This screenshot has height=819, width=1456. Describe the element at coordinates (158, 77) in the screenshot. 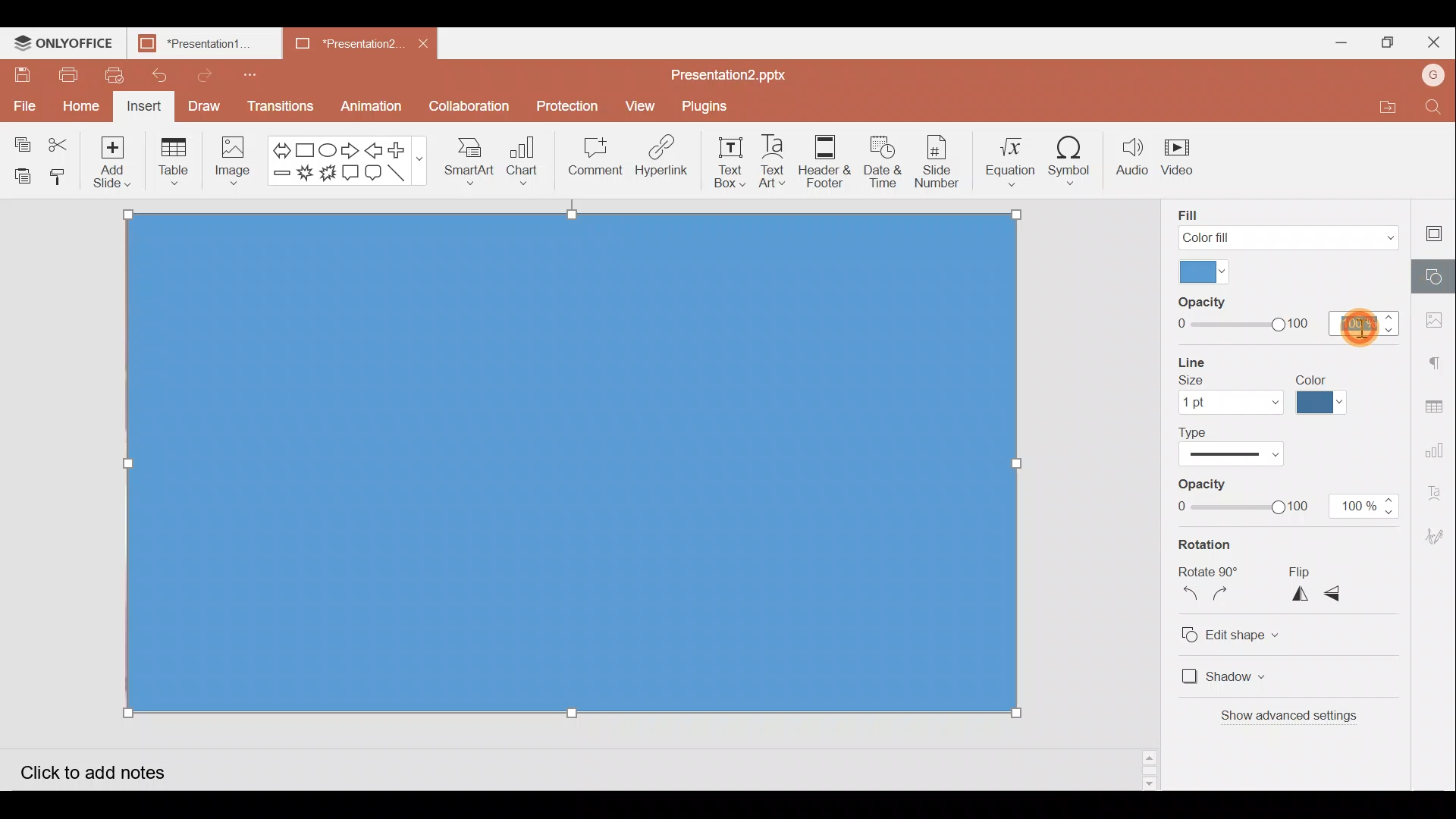

I see `Undo` at that location.